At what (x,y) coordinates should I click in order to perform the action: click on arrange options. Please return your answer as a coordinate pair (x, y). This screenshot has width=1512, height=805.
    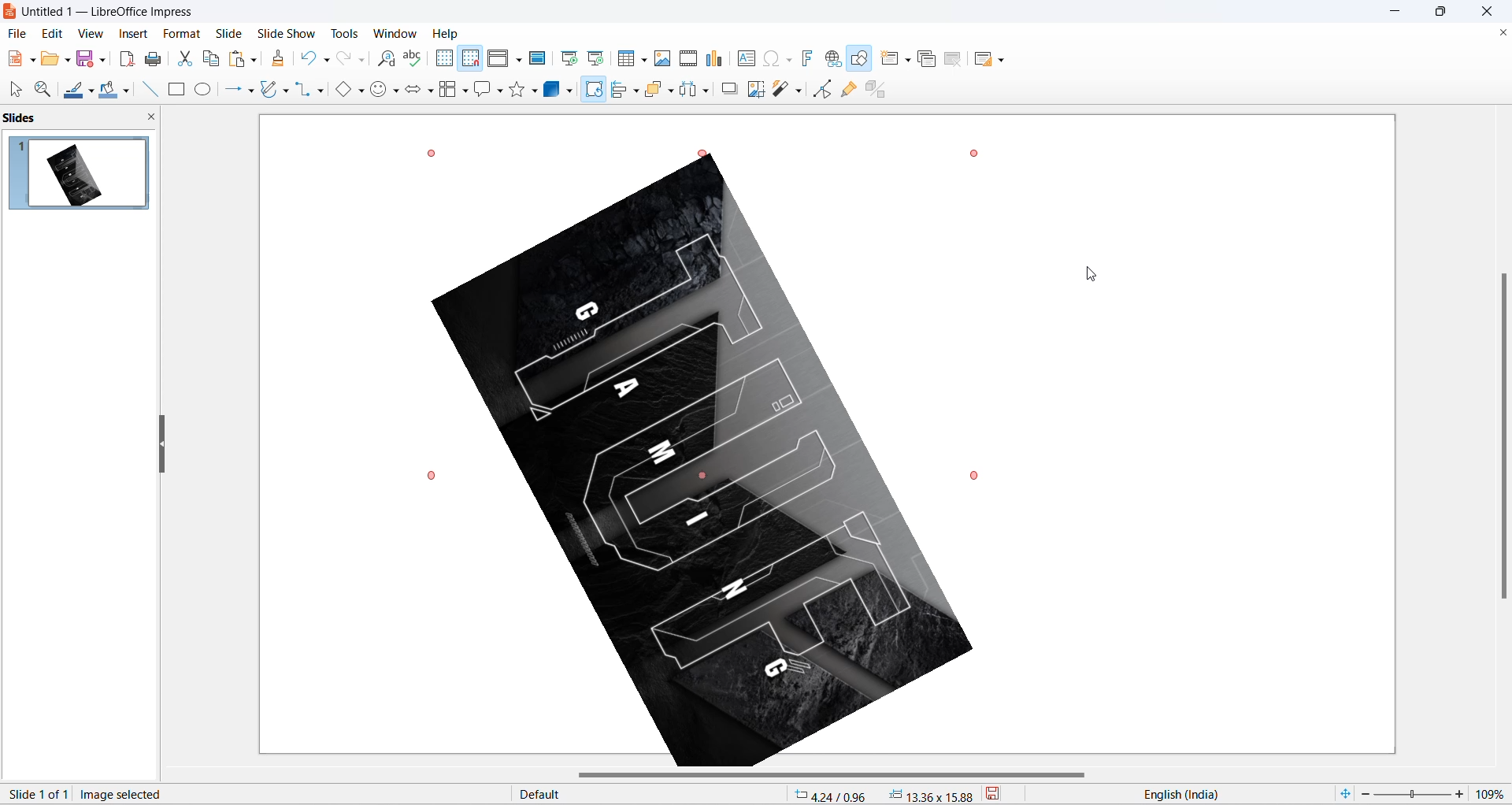
    Looking at the image, I should click on (673, 91).